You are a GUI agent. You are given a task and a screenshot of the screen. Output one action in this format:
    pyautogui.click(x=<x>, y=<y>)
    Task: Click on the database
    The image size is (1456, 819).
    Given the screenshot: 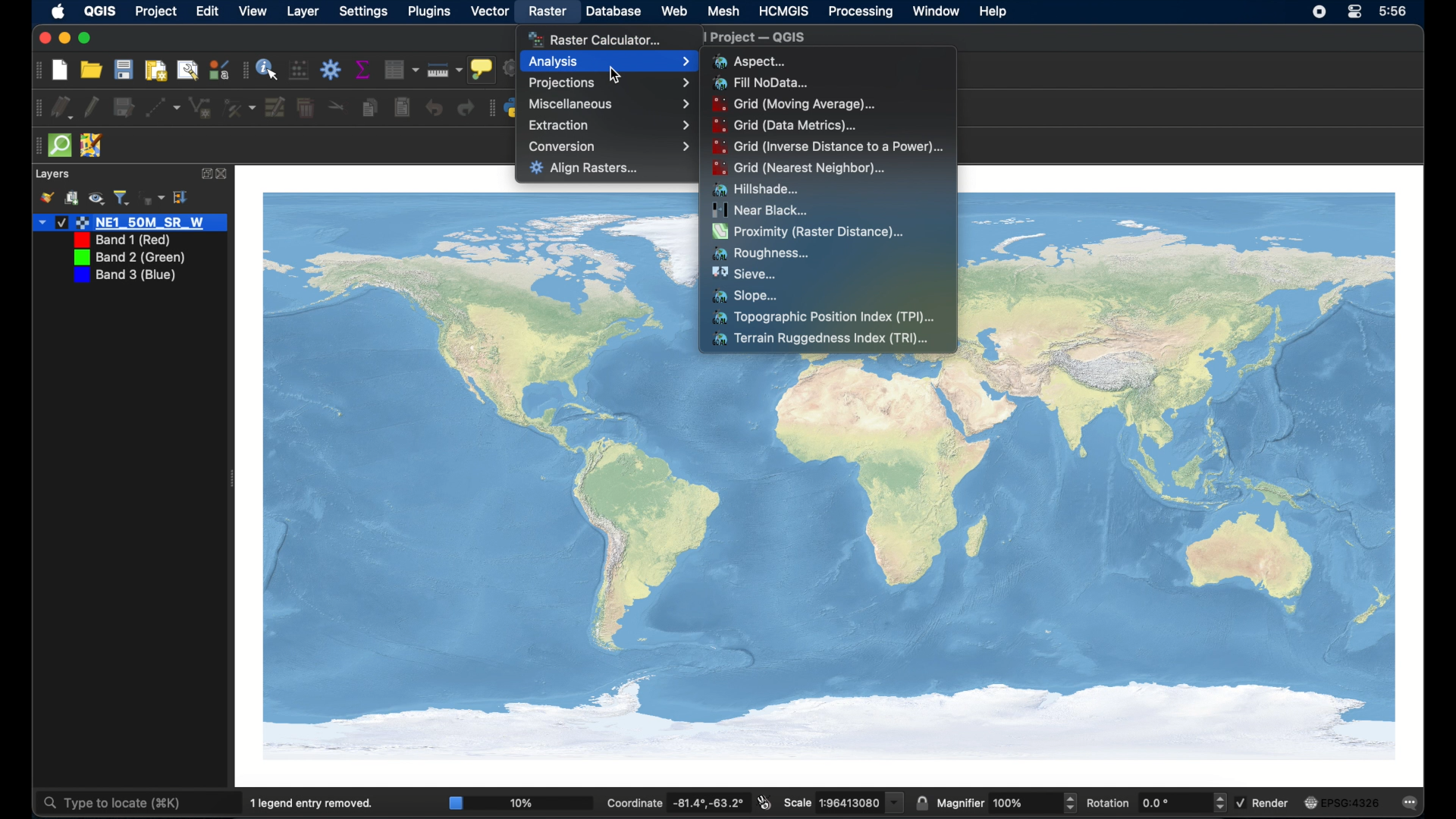 What is the action you would take?
    pyautogui.click(x=612, y=11)
    